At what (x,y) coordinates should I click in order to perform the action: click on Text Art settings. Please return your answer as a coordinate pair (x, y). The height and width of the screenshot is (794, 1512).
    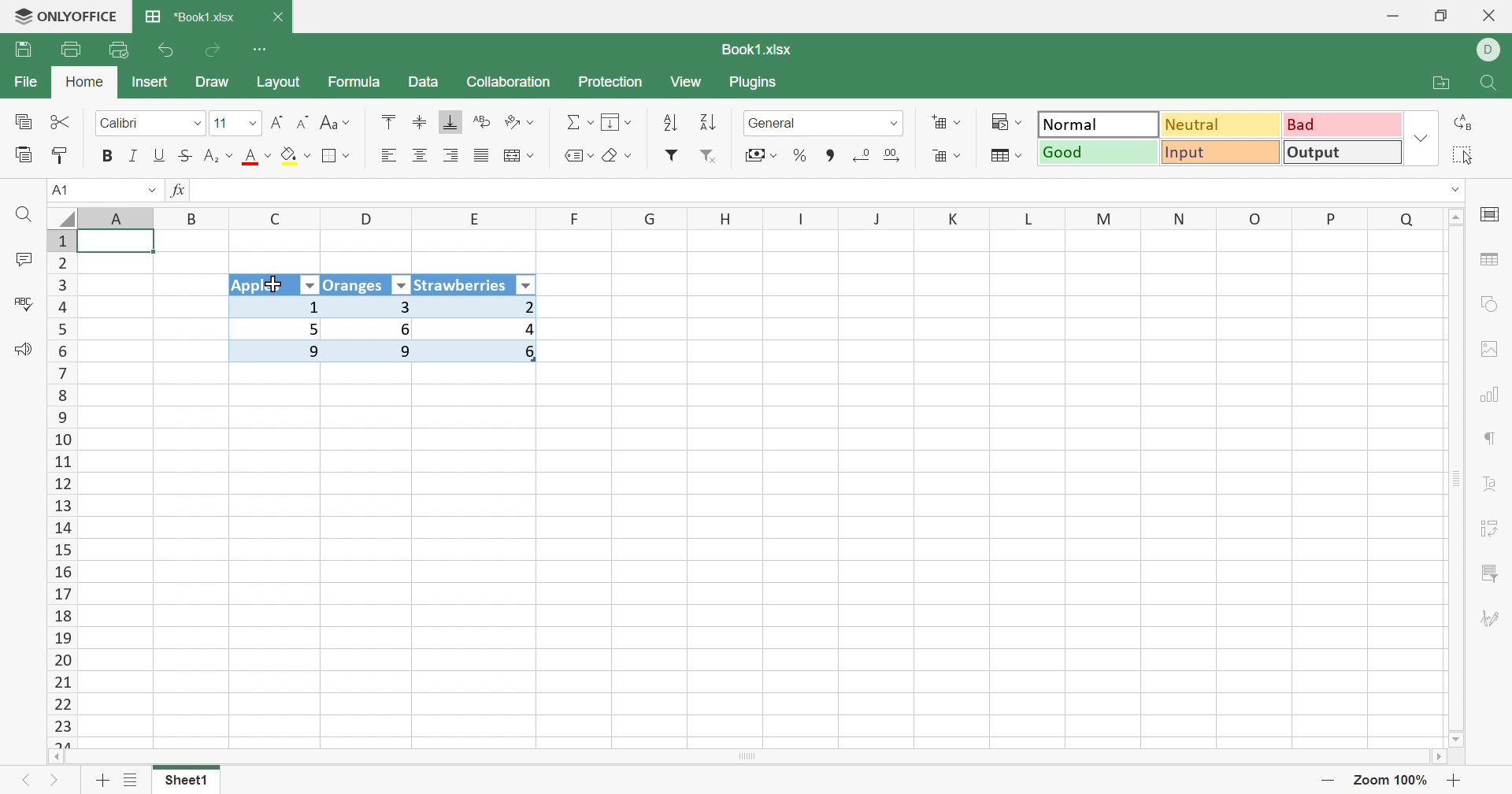
    Looking at the image, I should click on (1494, 485).